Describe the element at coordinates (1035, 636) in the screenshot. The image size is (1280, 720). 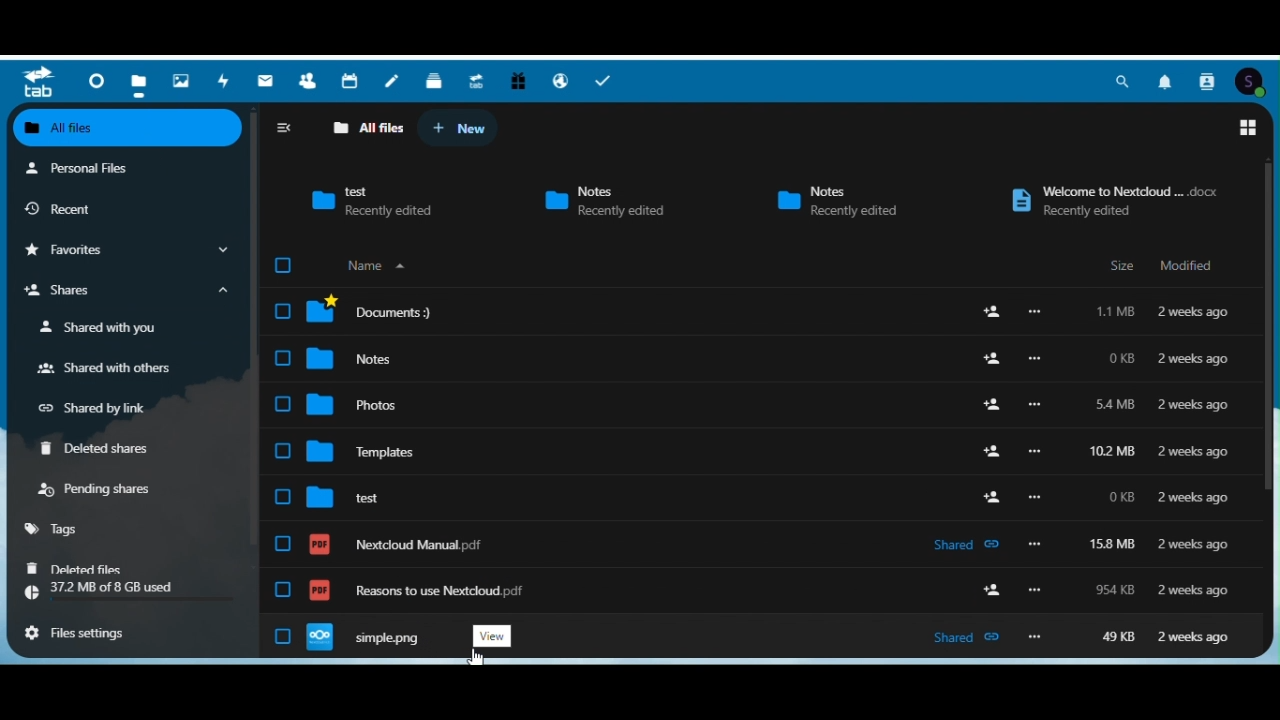
I see `options` at that location.